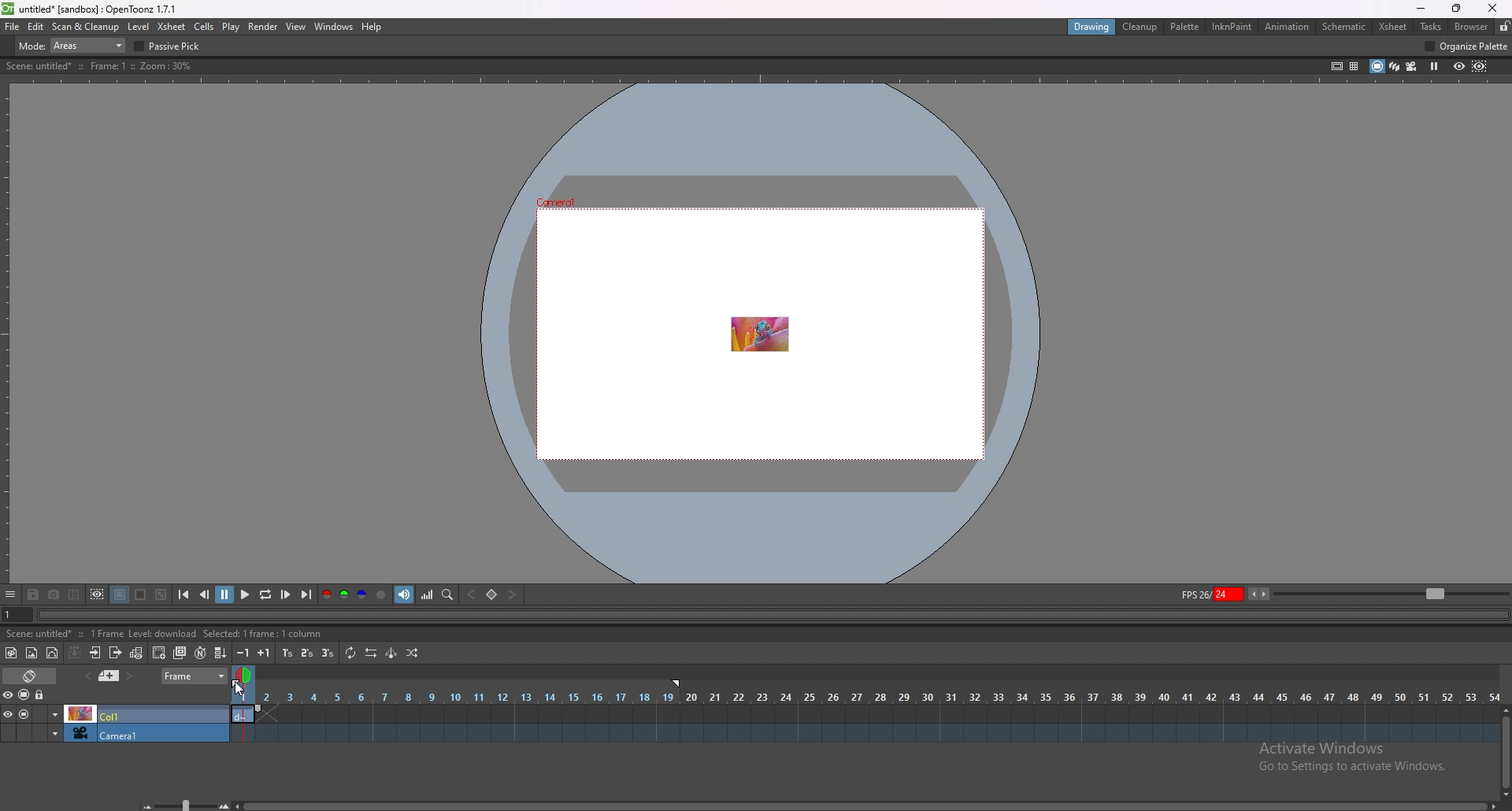  Describe the element at coordinates (865, 712) in the screenshot. I see `timeline` at that location.